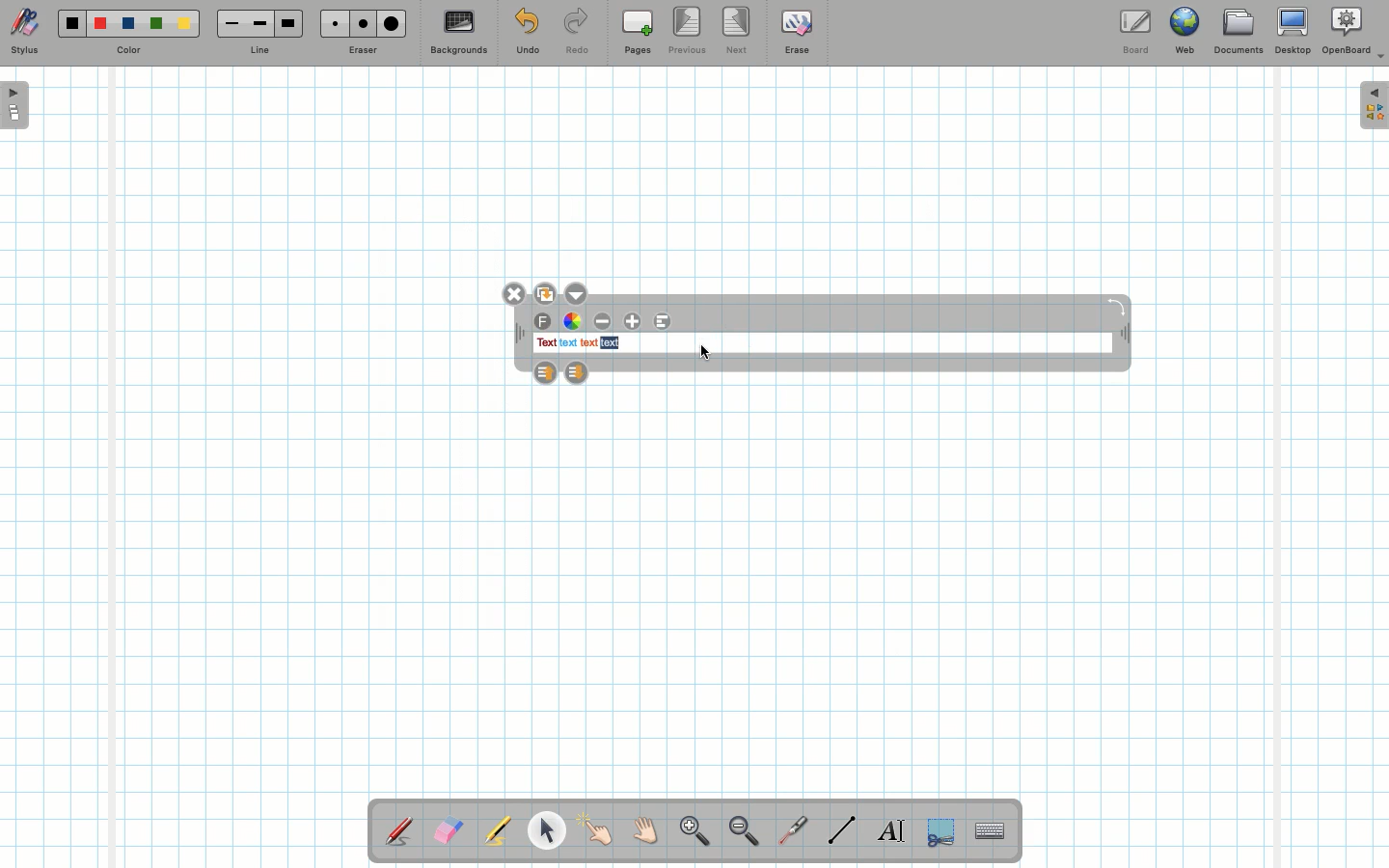 This screenshot has width=1389, height=868. Describe the element at coordinates (611, 343) in the screenshot. I see `text` at that location.